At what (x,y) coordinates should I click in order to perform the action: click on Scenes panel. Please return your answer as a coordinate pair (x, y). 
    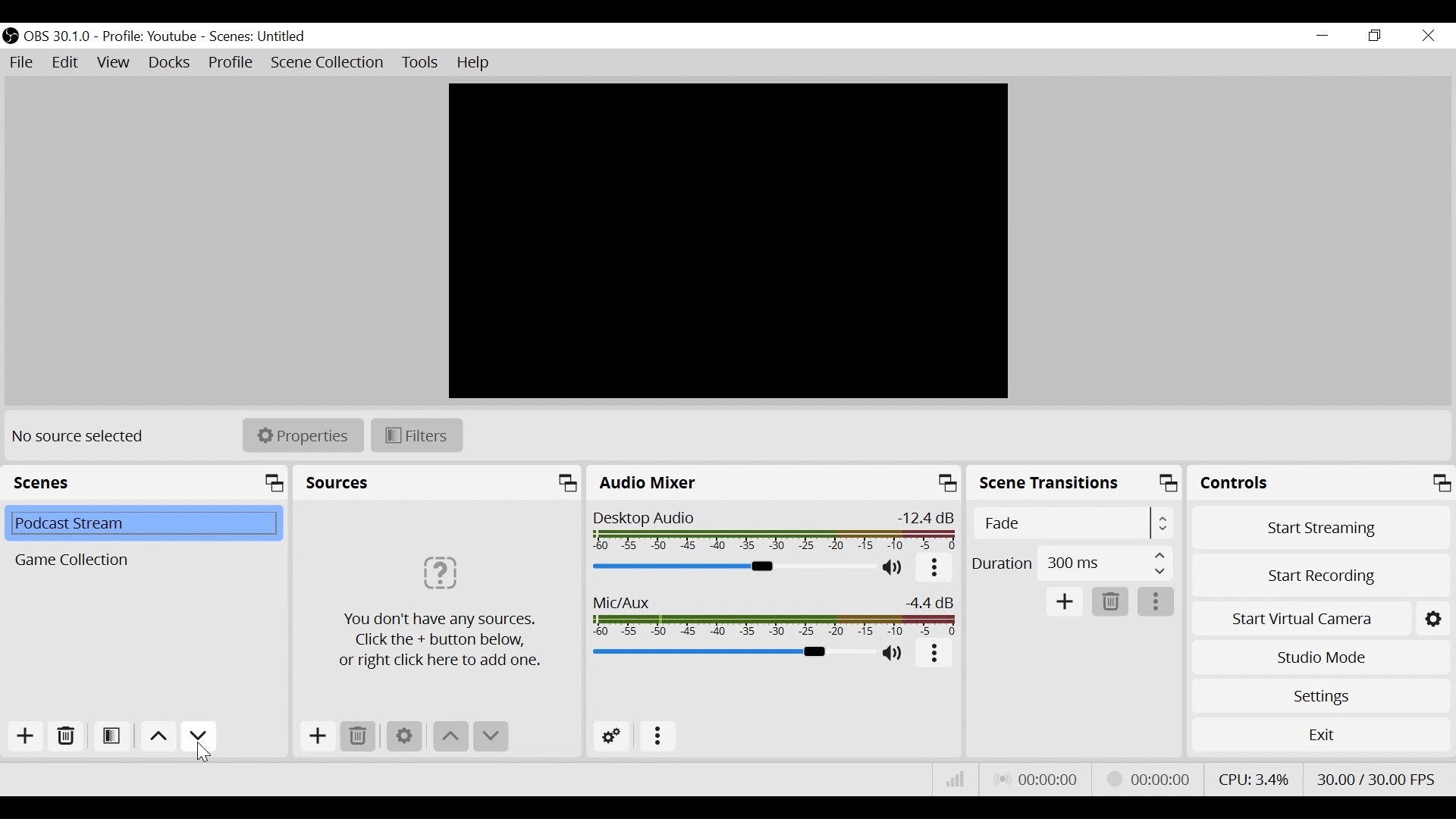
    Looking at the image, I should click on (147, 483).